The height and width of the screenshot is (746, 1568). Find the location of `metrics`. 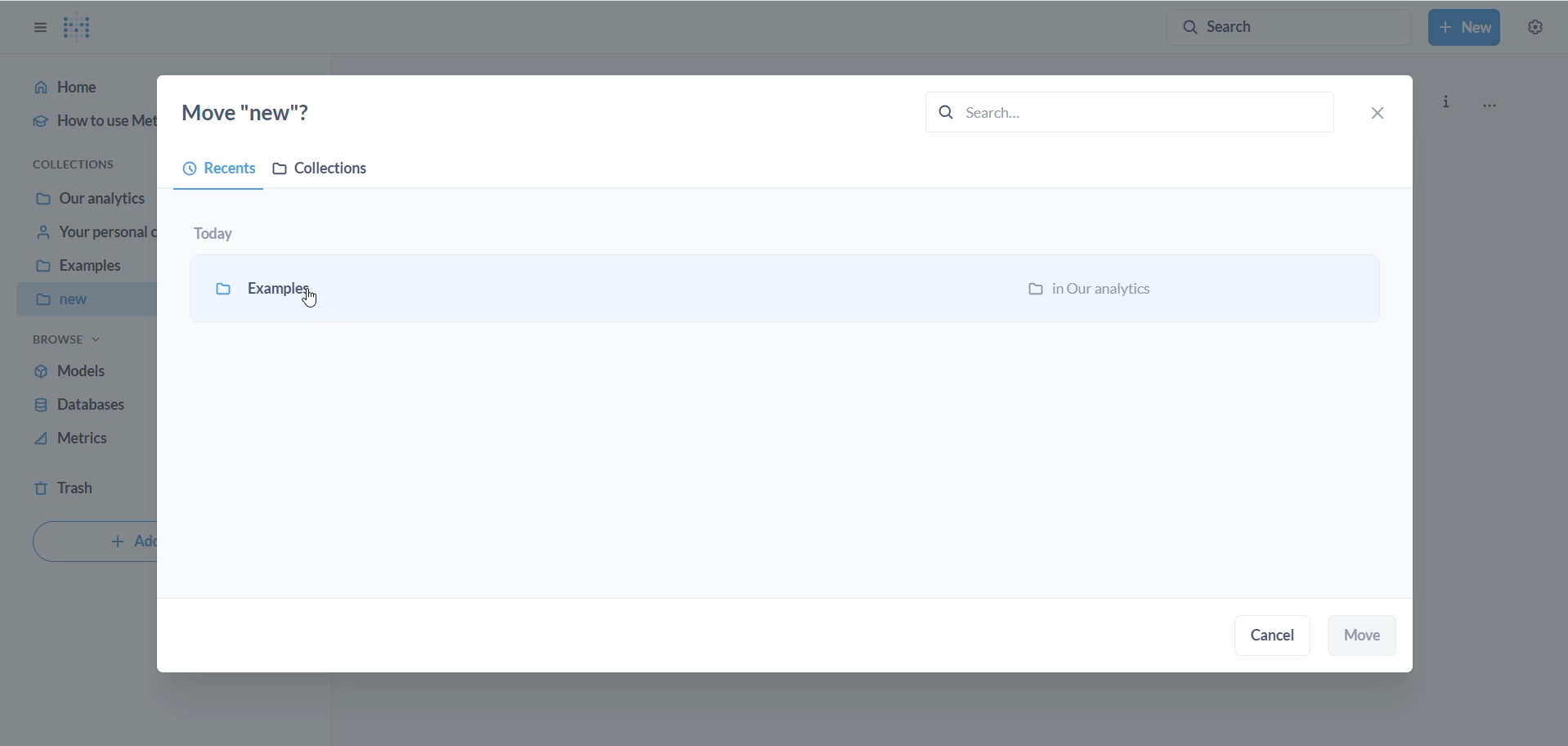

metrics is located at coordinates (81, 443).